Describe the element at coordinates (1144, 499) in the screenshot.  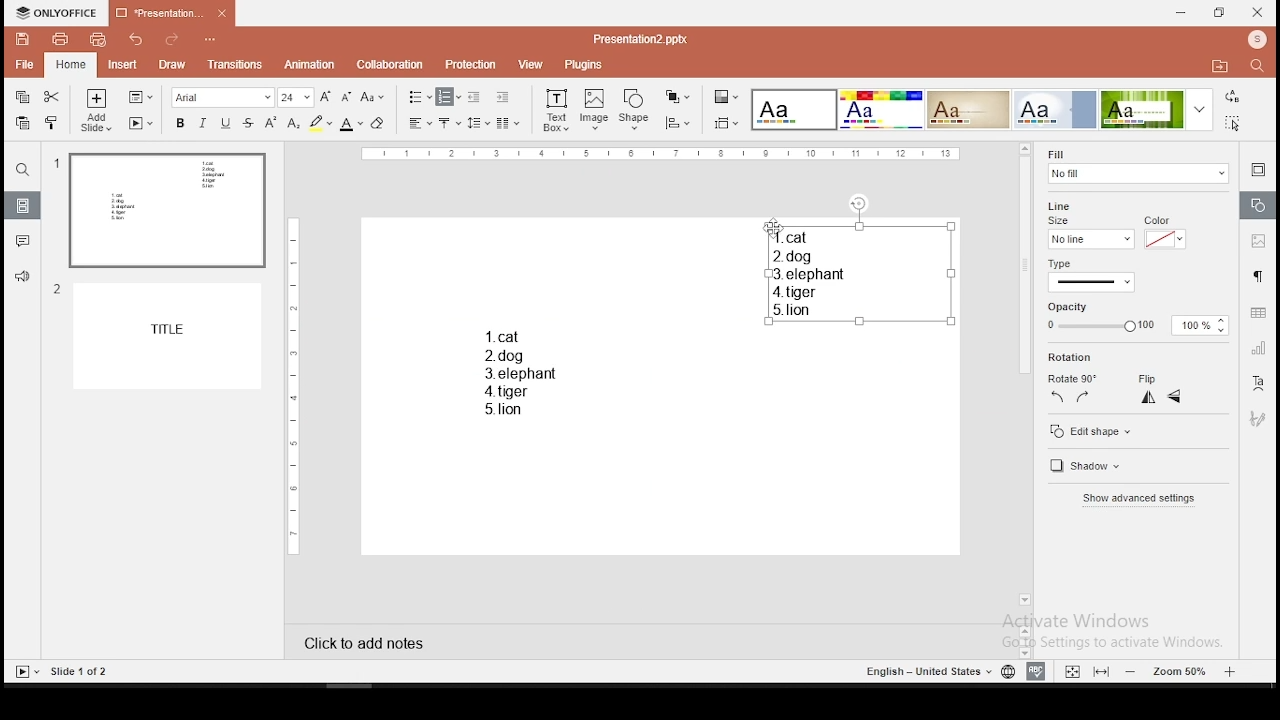
I see `advanced settings` at that location.